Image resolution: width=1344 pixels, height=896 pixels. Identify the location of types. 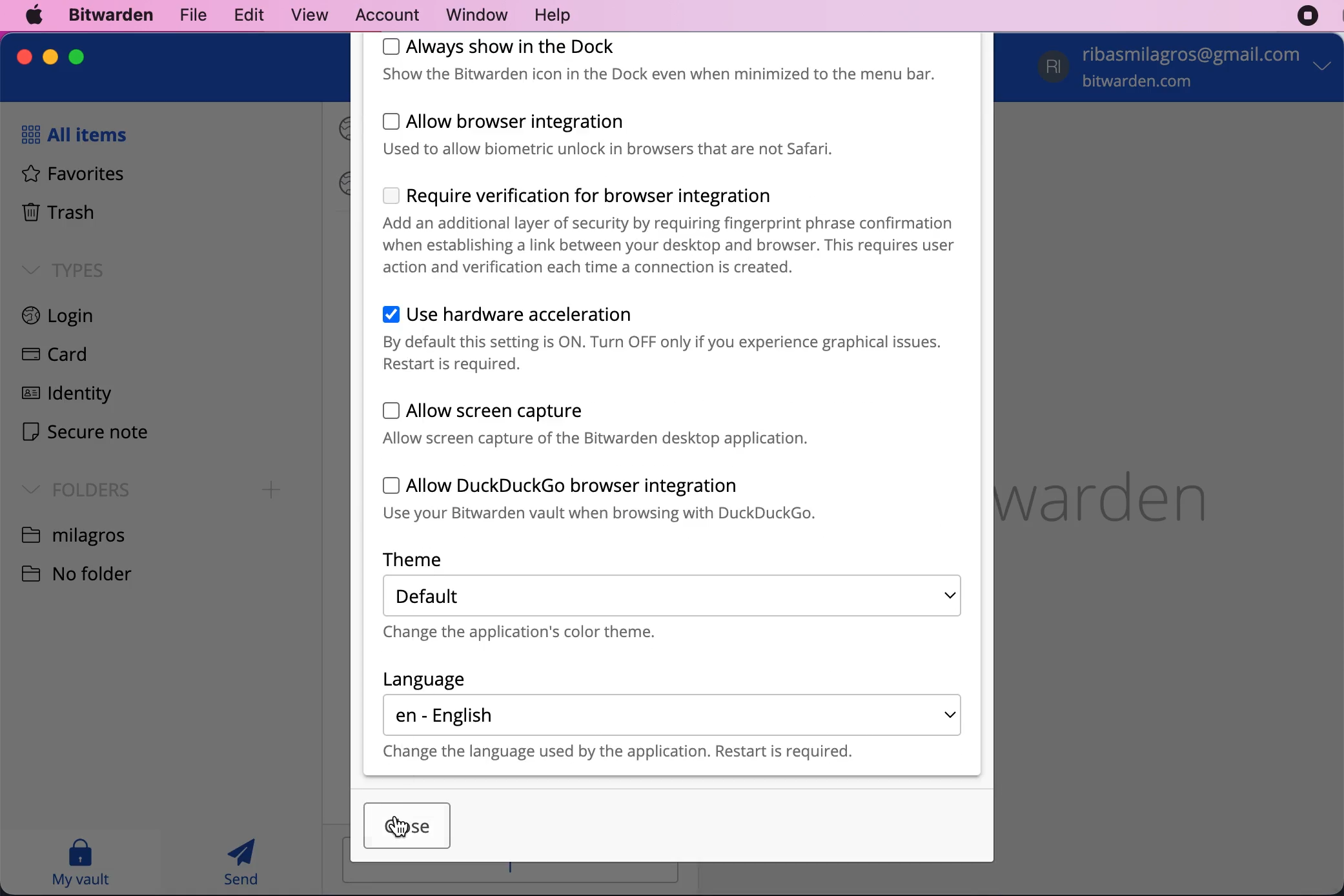
(63, 269).